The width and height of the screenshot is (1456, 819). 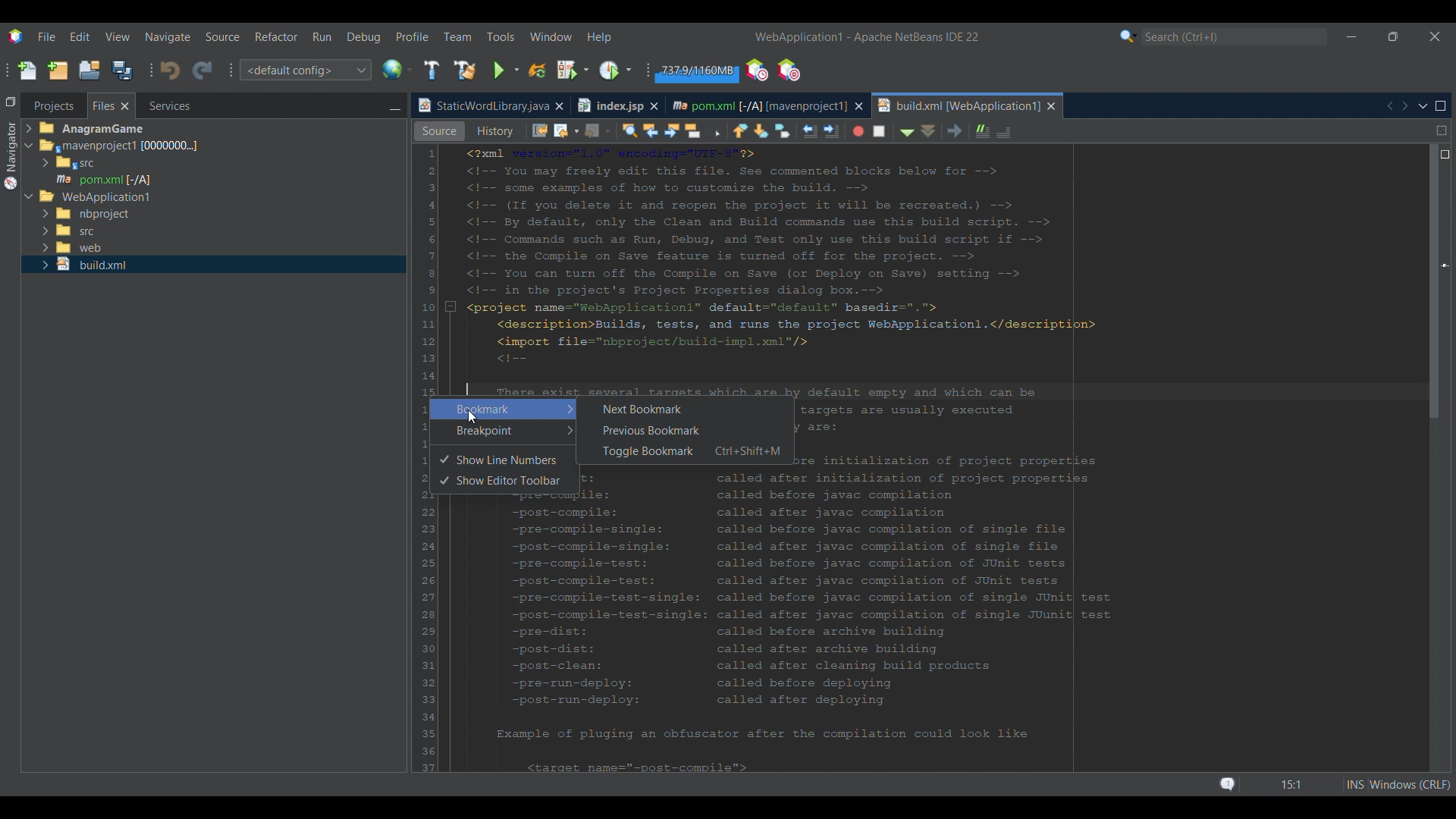 What do you see at coordinates (698, 71) in the screenshot?
I see `Garbage collection changed` at bounding box center [698, 71].